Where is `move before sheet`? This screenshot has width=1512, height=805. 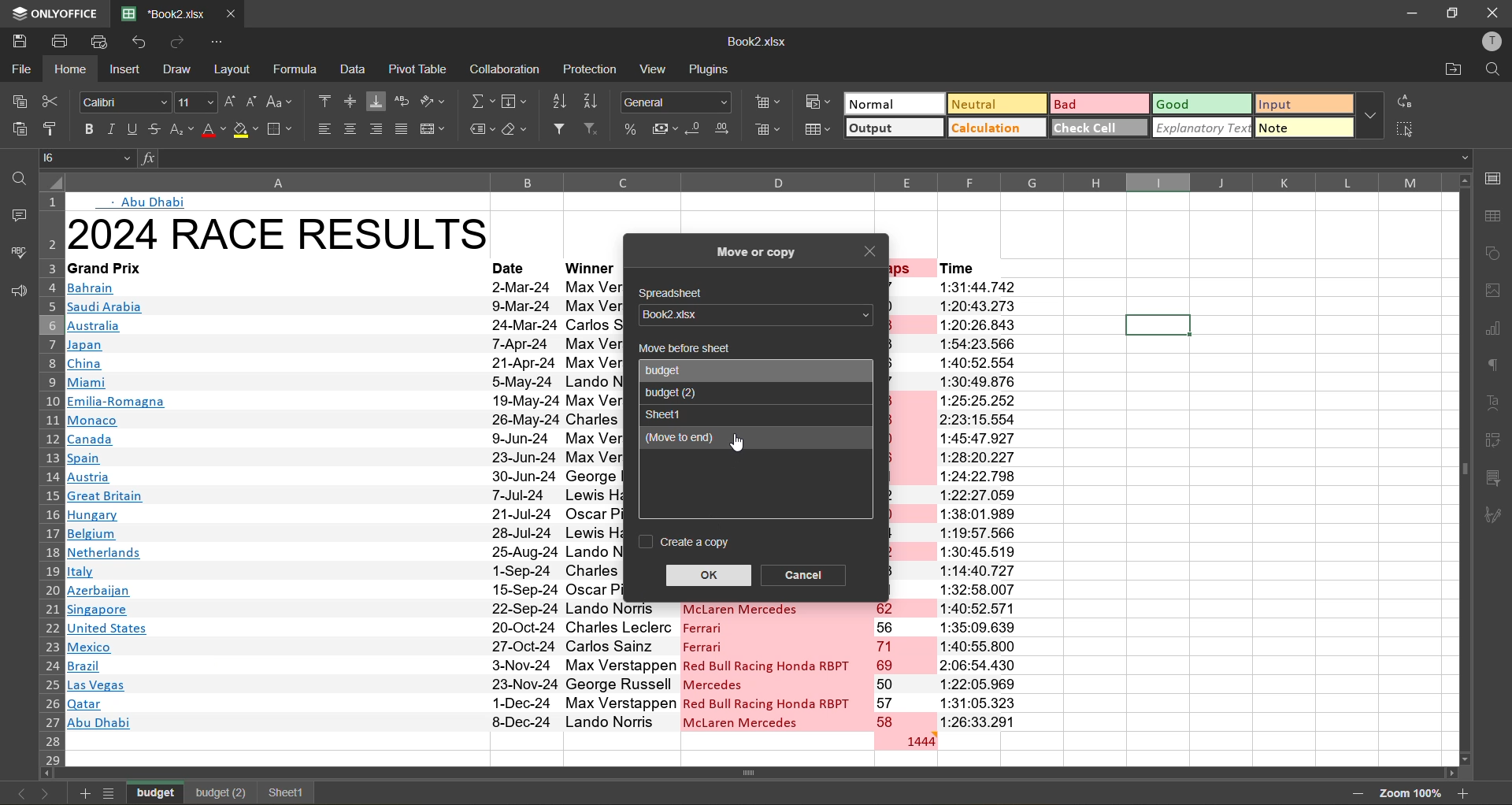
move before sheet is located at coordinates (682, 349).